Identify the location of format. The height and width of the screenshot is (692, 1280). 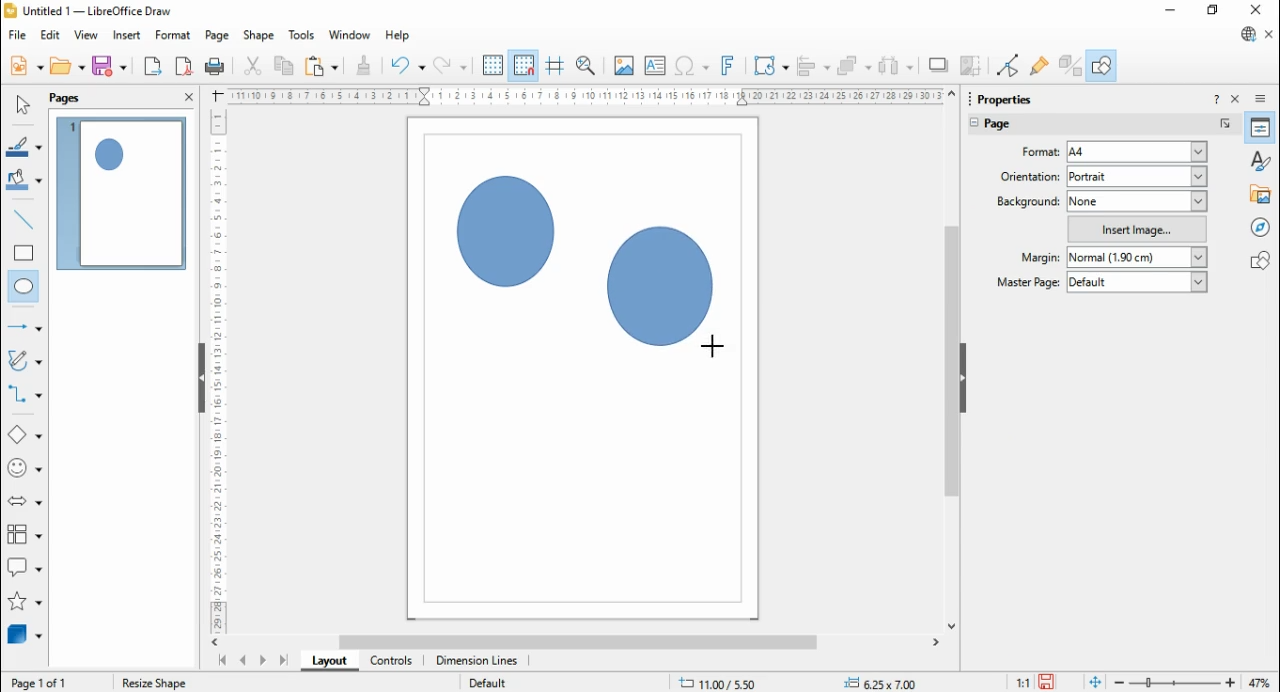
(174, 36).